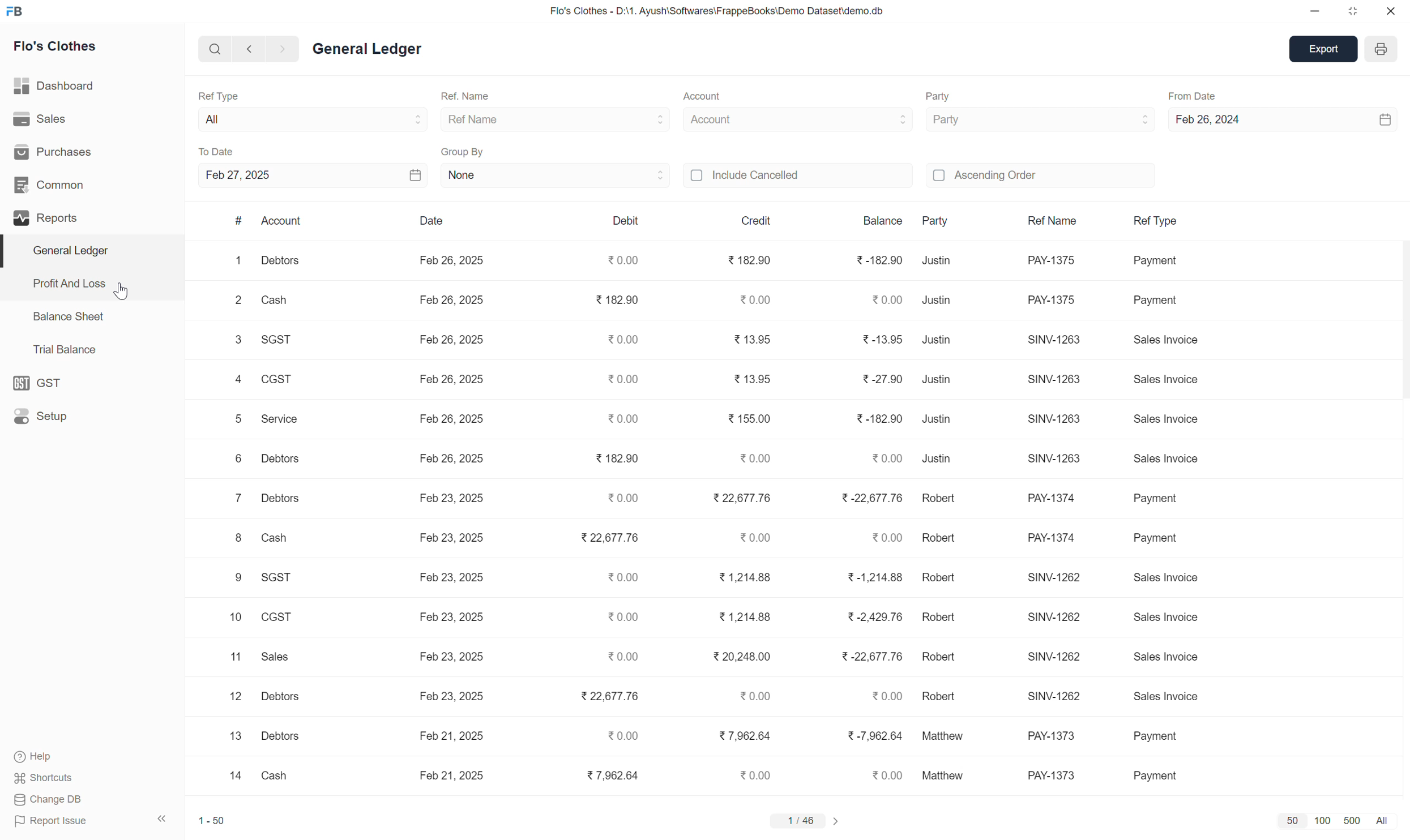  Describe the element at coordinates (754, 696) in the screenshot. I see `₹0.00` at that location.